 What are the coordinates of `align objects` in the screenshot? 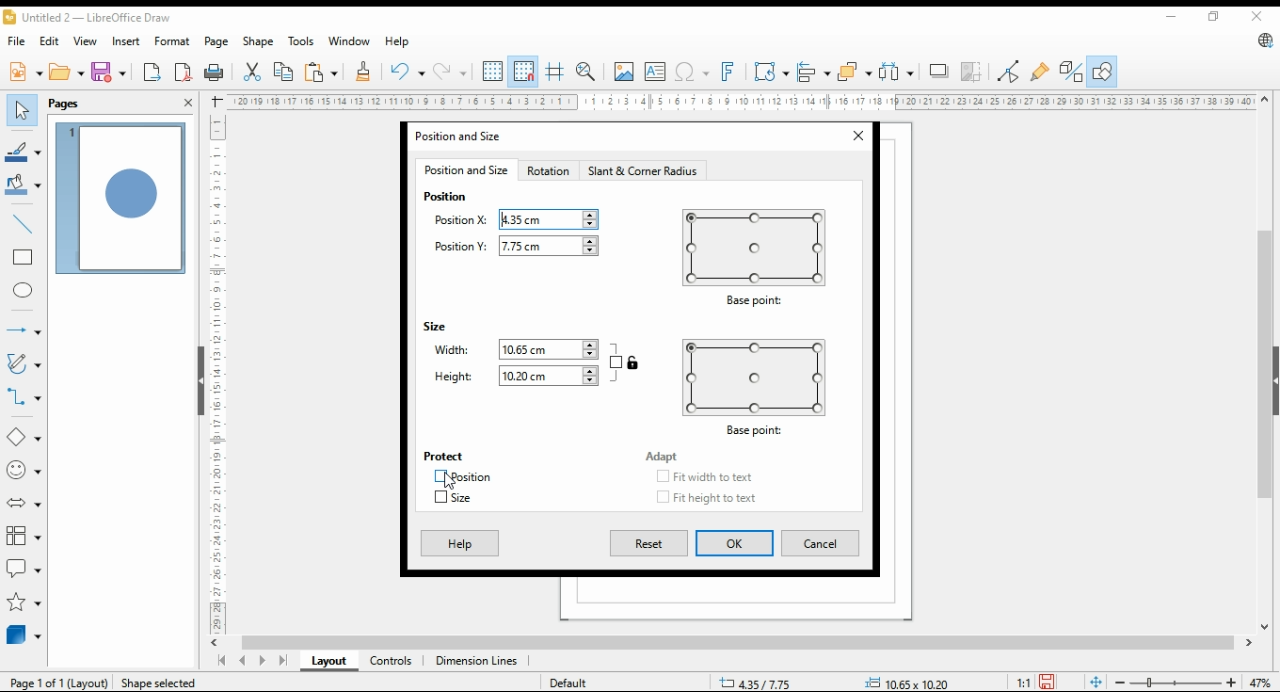 It's located at (813, 73).